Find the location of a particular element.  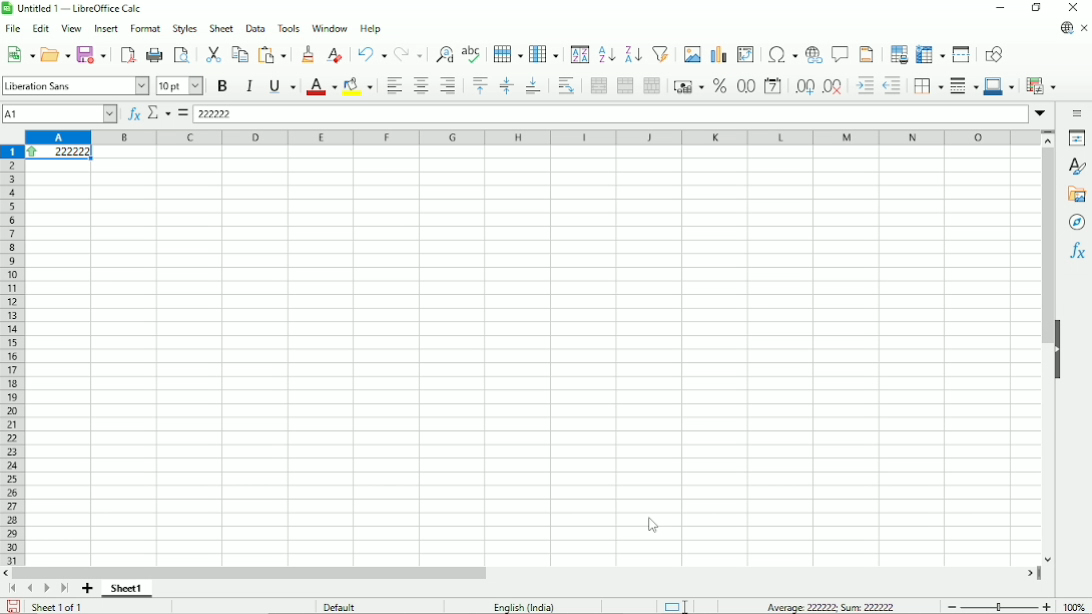

Vertical scrollbar is located at coordinates (1044, 246).